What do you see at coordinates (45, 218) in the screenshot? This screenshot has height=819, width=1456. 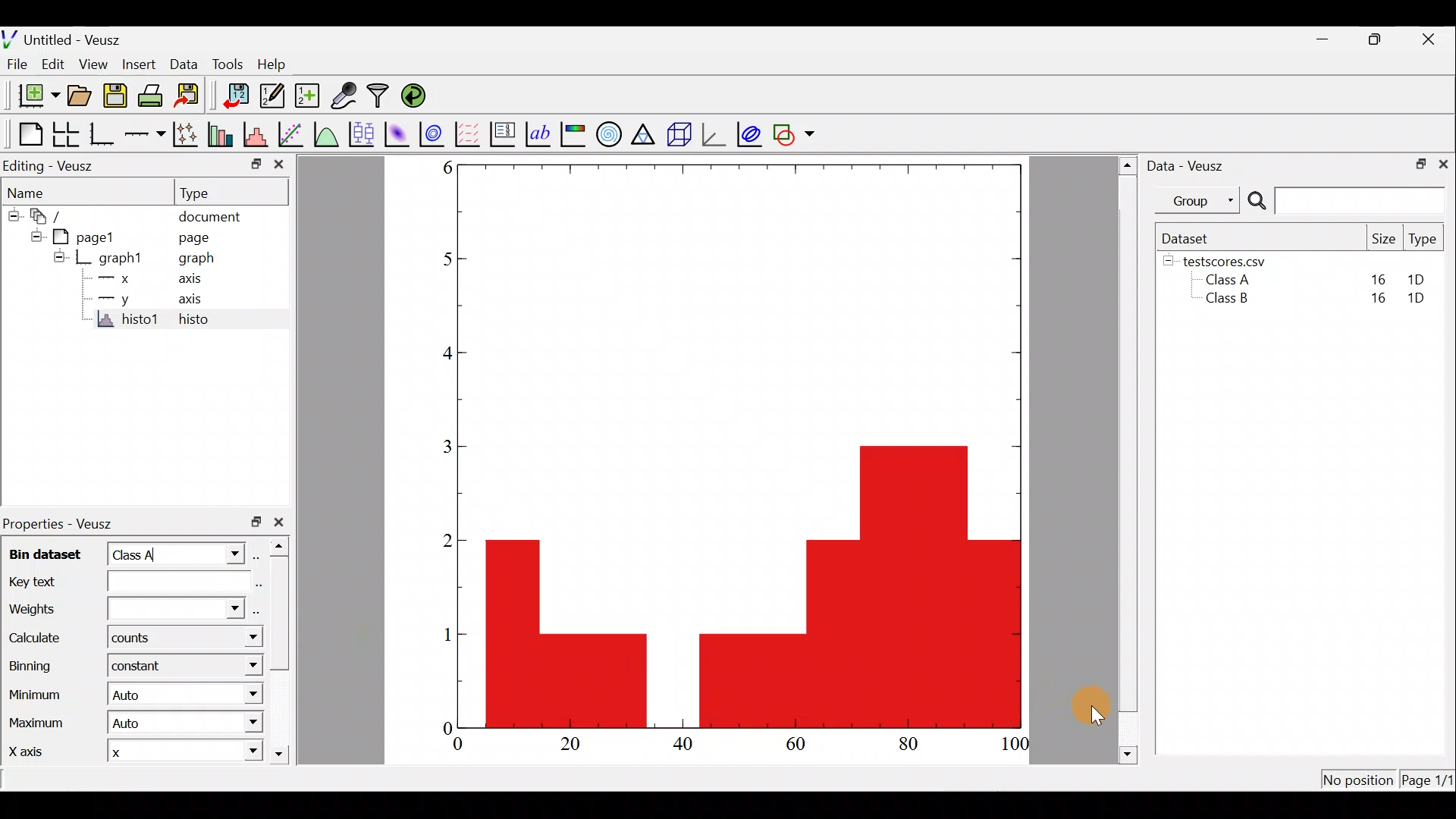 I see `document widget` at bounding box center [45, 218].